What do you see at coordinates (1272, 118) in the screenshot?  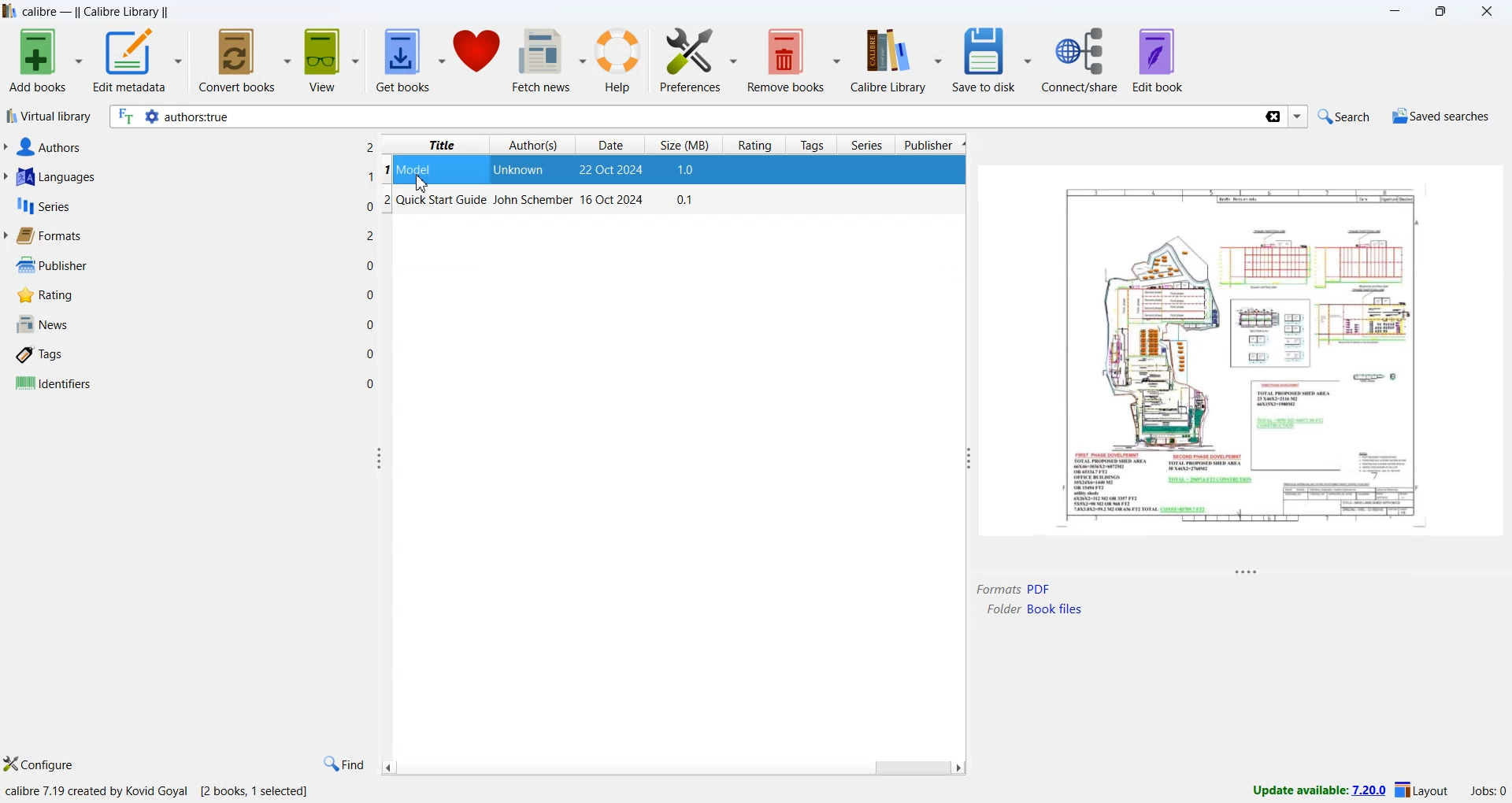 I see `clear search` at bounding box center [1272, 118].